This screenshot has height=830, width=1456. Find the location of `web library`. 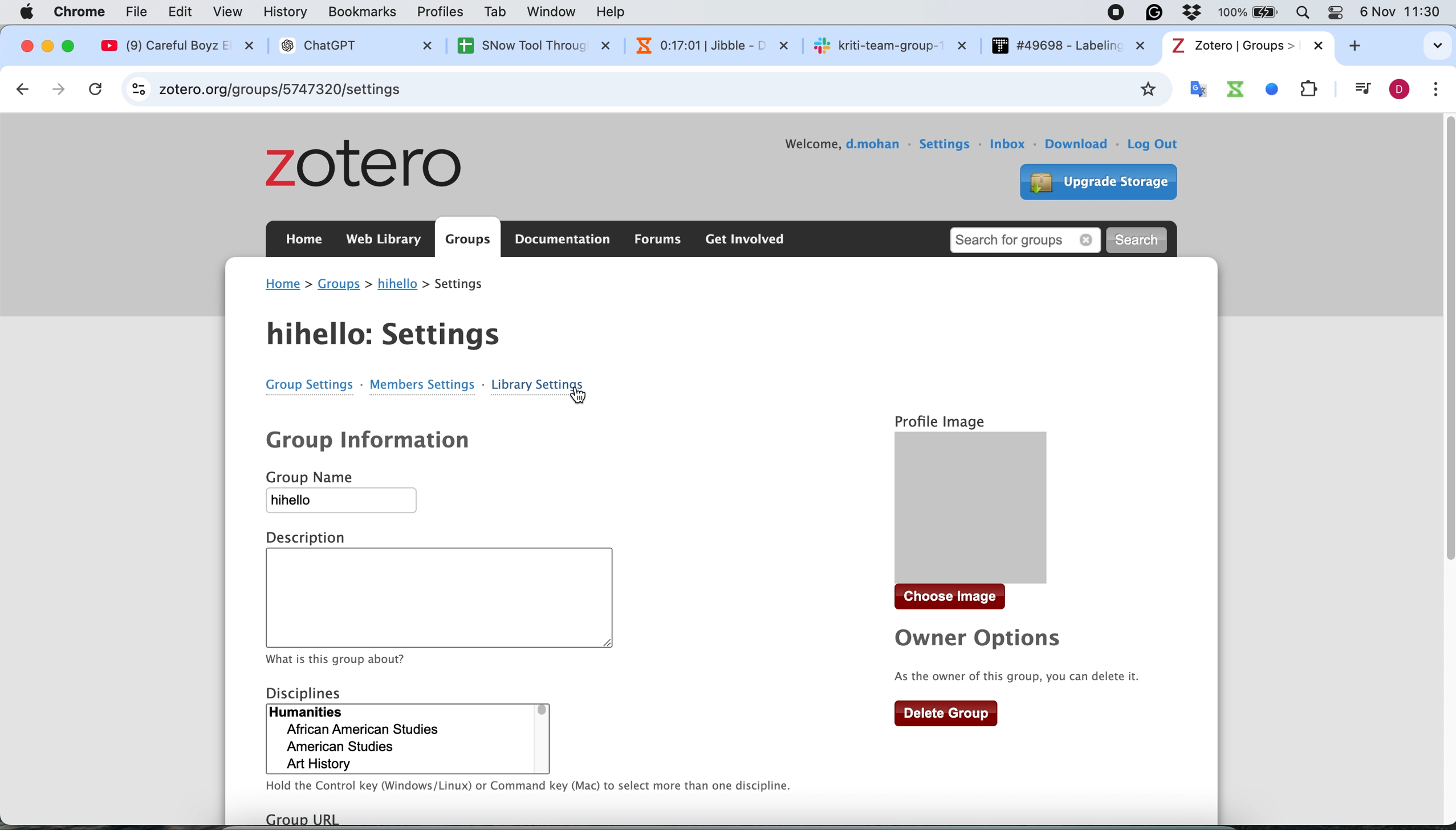

web library is located at coordinates (386, 239).